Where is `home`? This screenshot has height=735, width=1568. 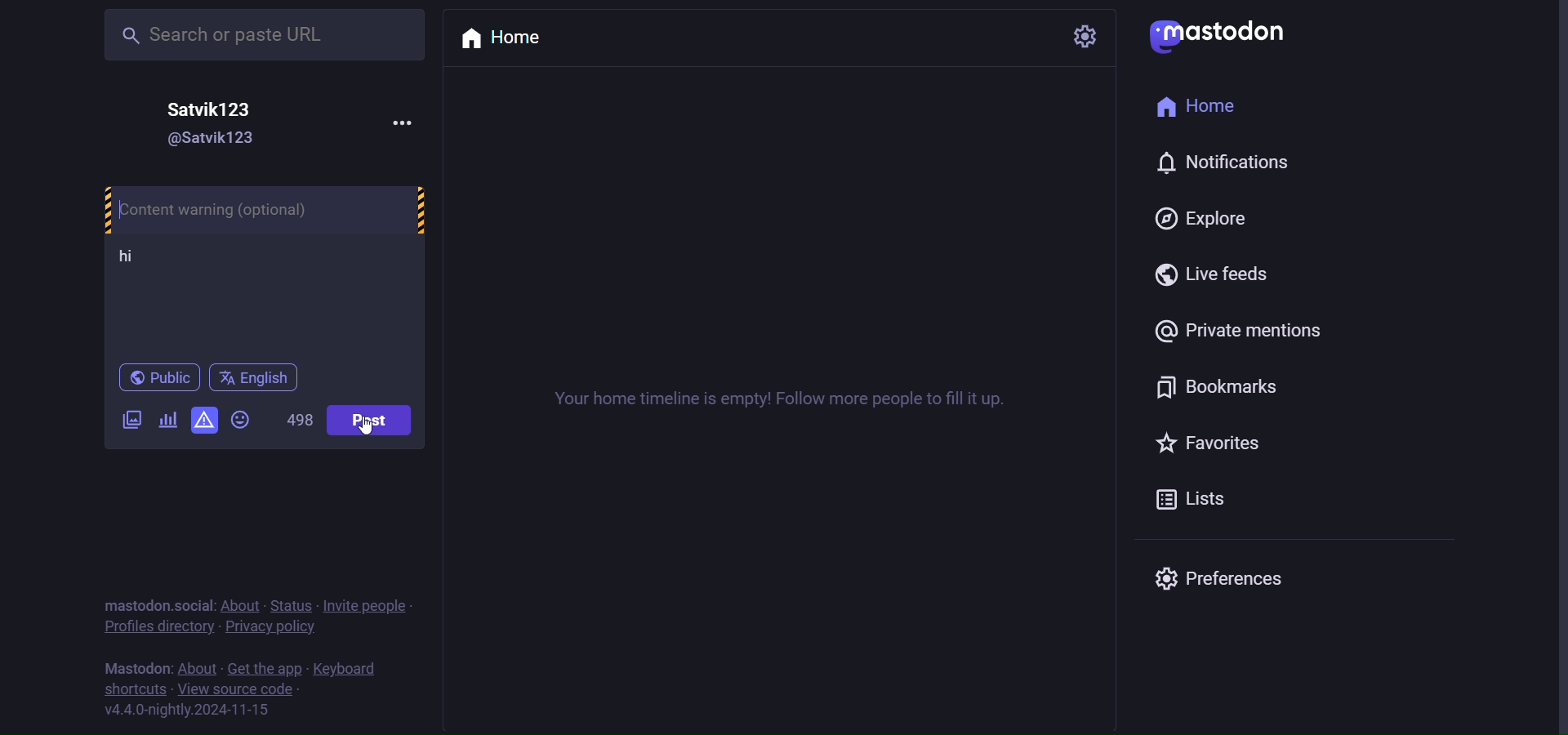
home is located at coordinates (1205, 110).